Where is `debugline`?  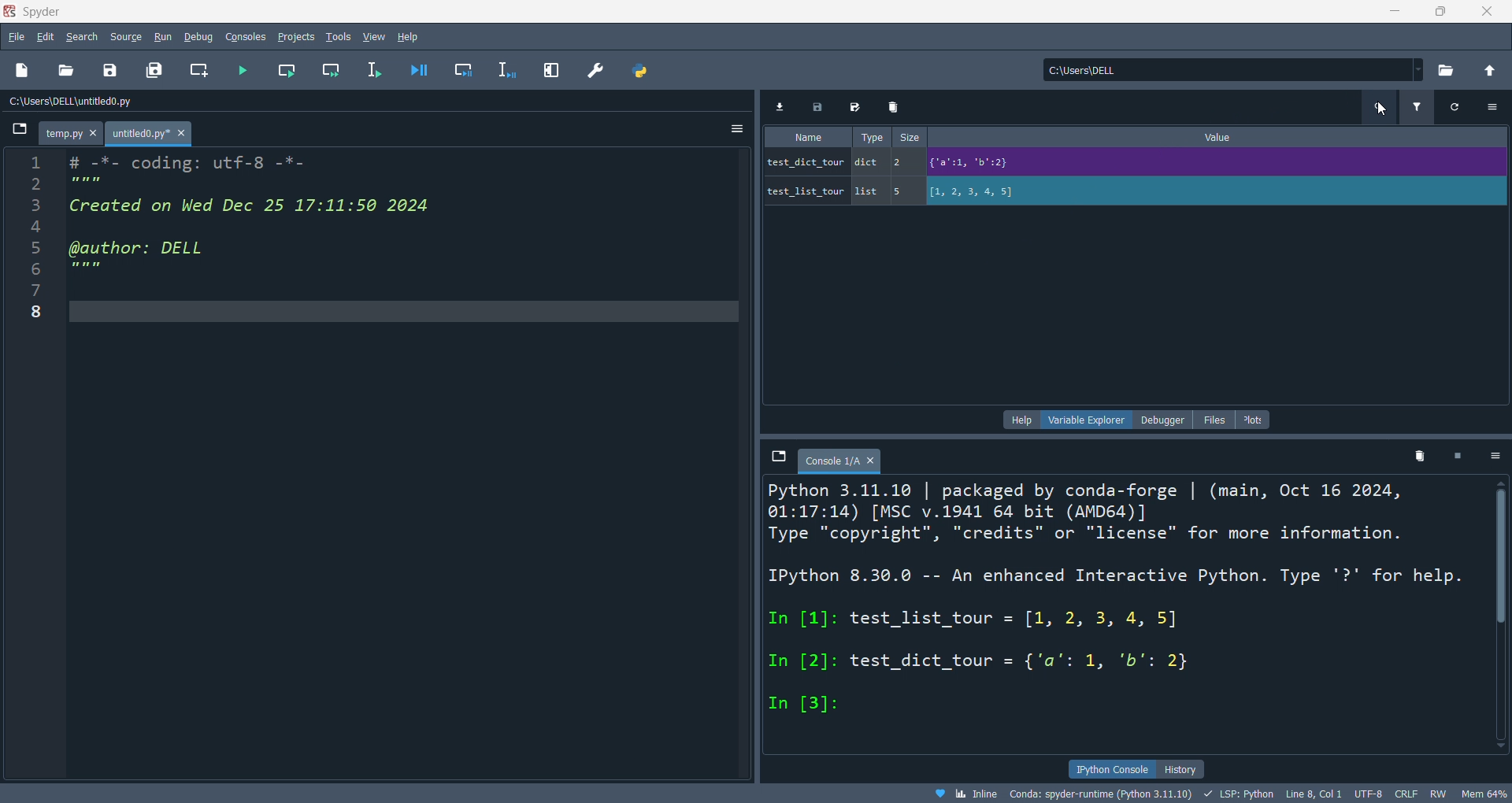 debugline is located at coordinates (501, 68).